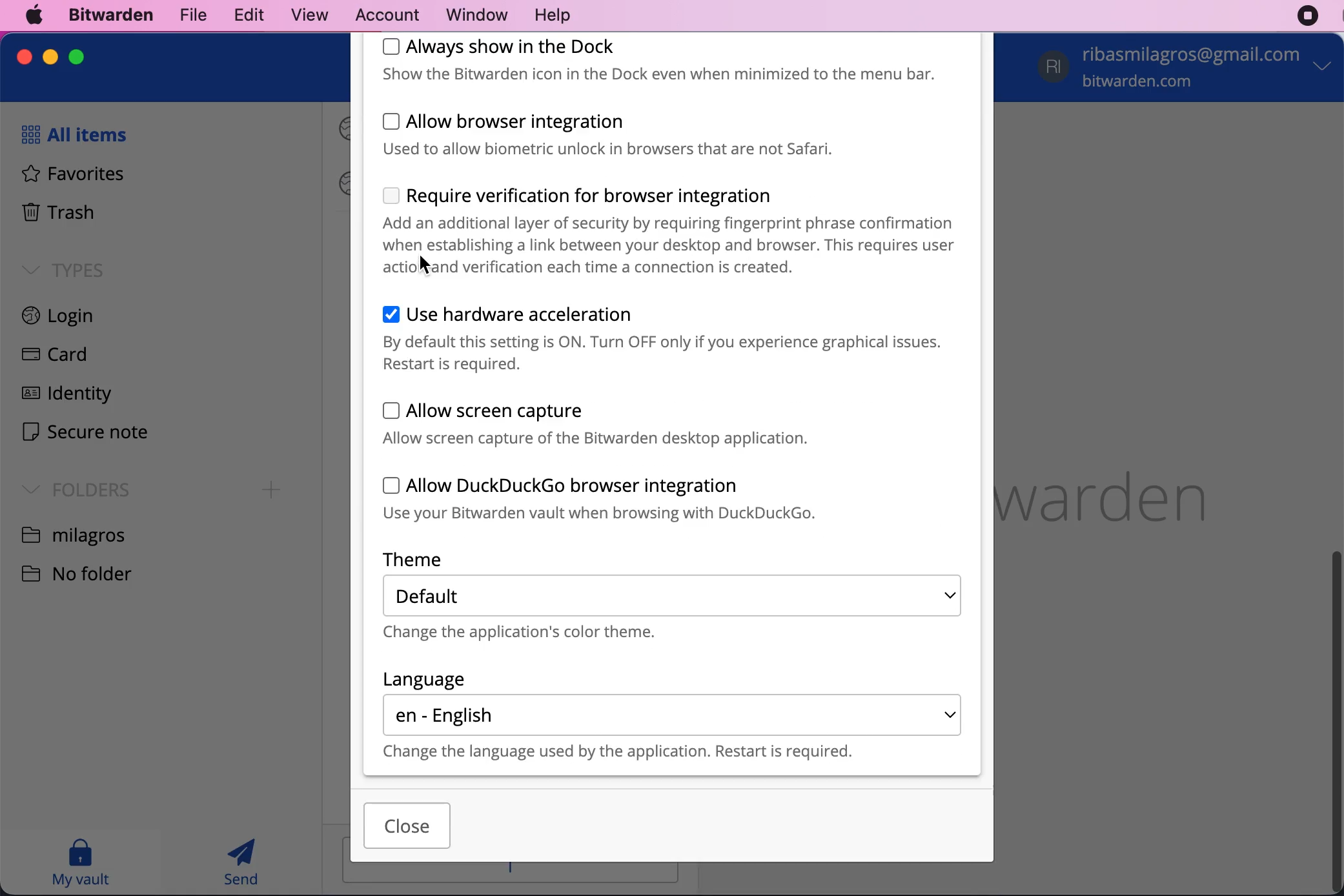  Describe the element at coordinates (425, 266) in the screenshot. I see `Cursor` at that location.